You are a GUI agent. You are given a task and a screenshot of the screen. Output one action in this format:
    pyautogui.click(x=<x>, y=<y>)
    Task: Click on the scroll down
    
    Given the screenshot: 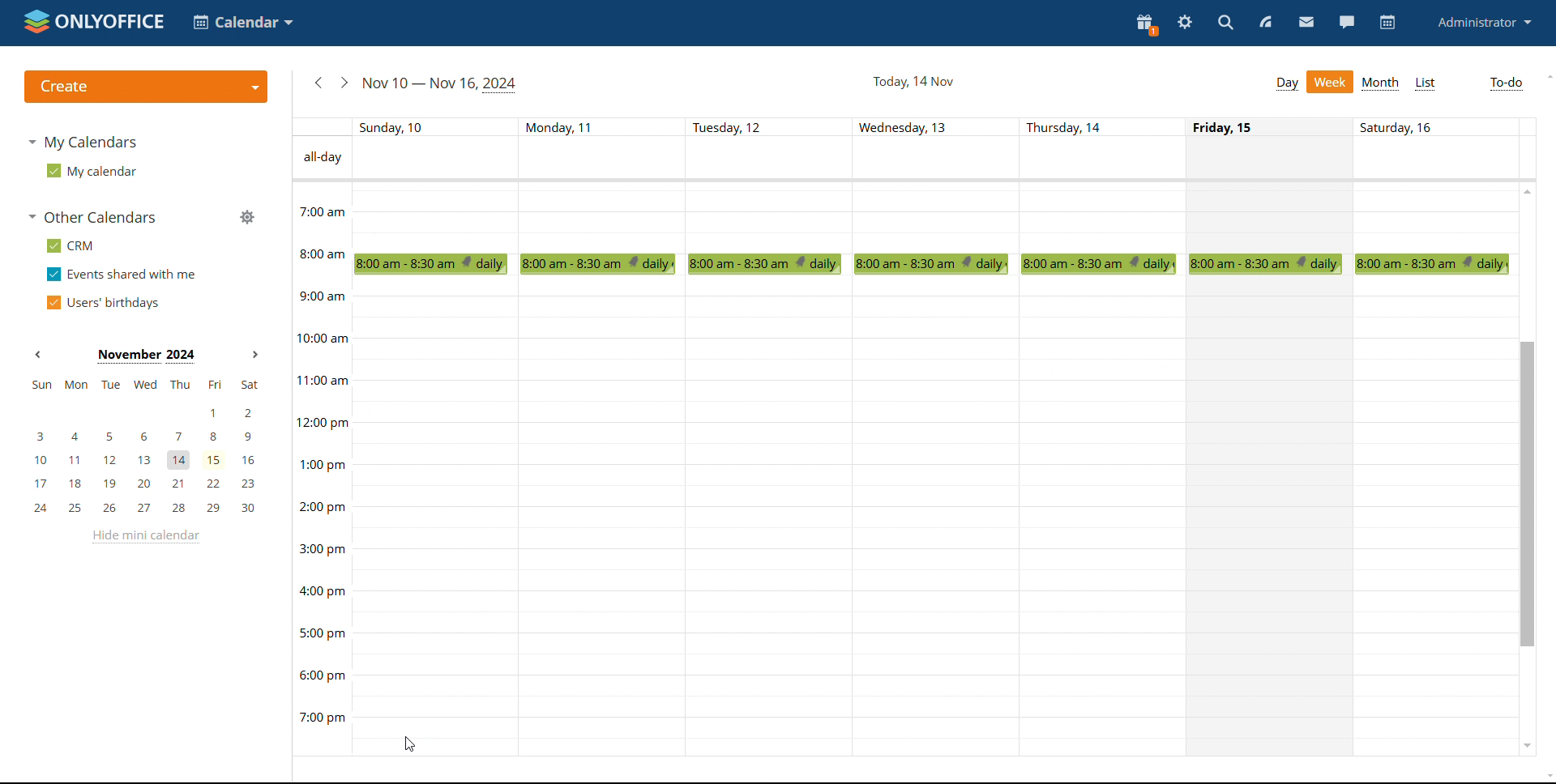 What is the action you would take?
    pyautogui.click(x=1526, y=748)
    